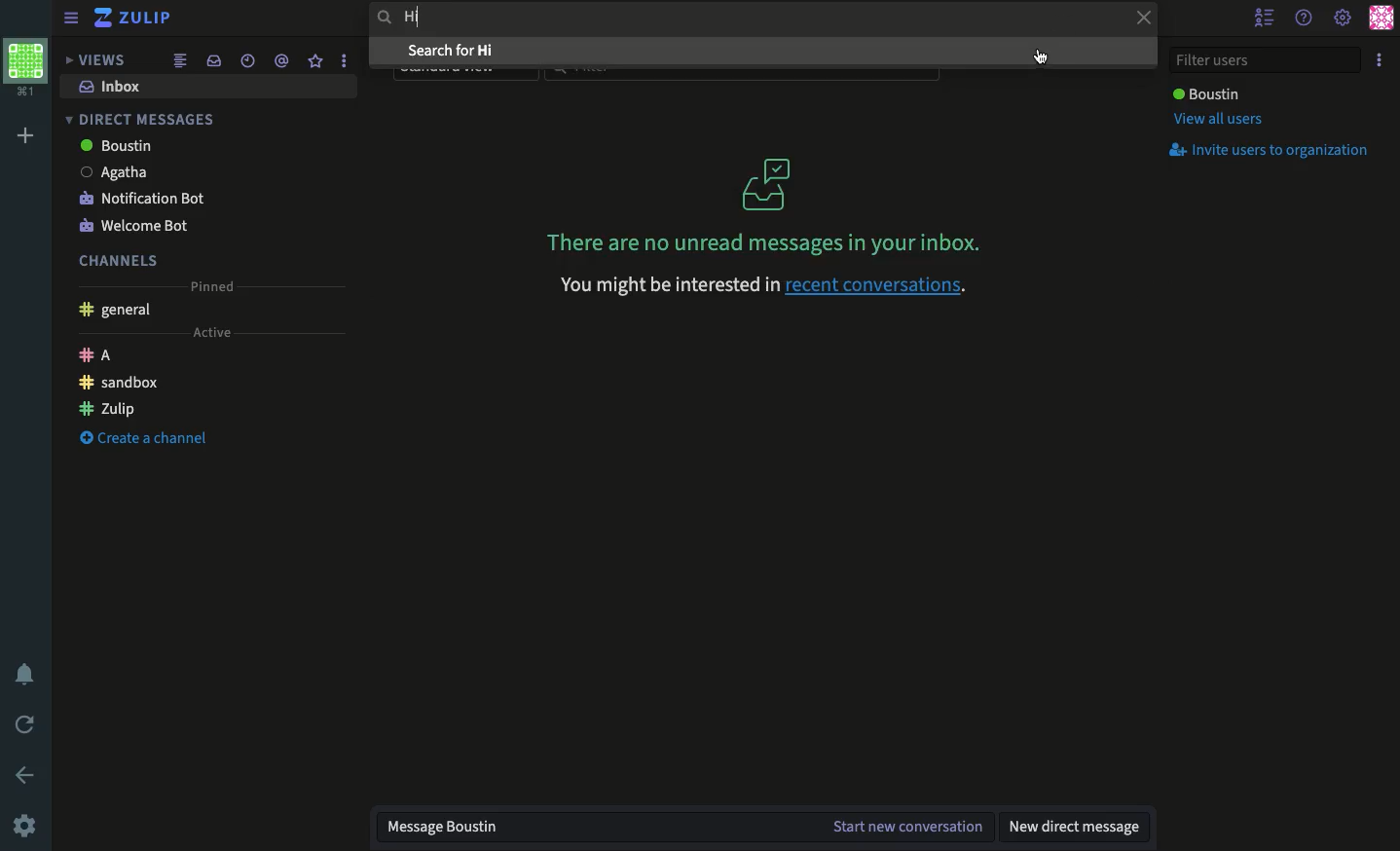 This screenshot has width=1400, height=851. What do you see at coordinates (209, 333) in the screenshot?
I see `Active` at bounding box center [209, 333].